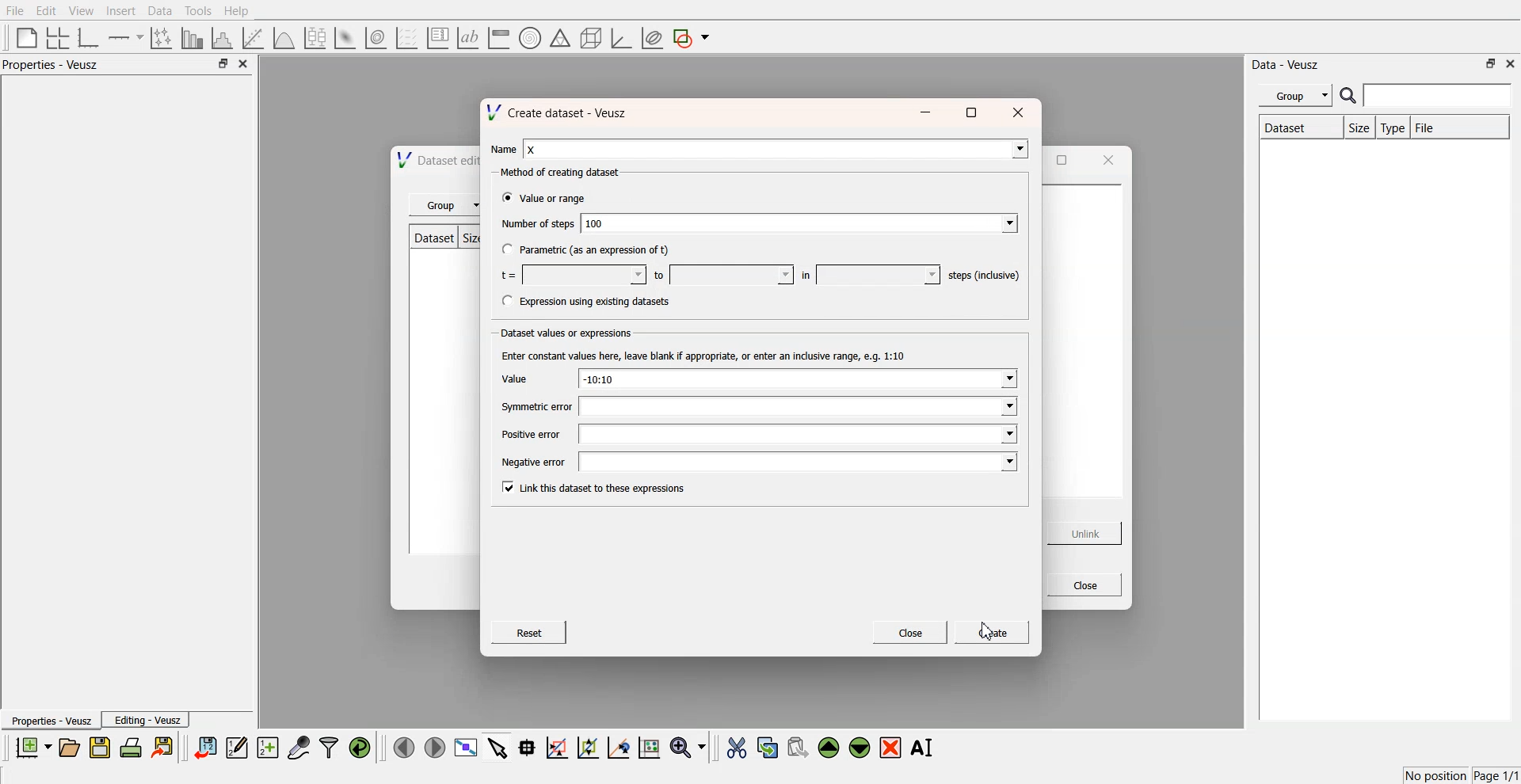 The height and width of the screenshot is (784, 1521). What do you see at coordinates (32, 747) in the screenshot?
I see `new documents` at bounding box center [32, 747].